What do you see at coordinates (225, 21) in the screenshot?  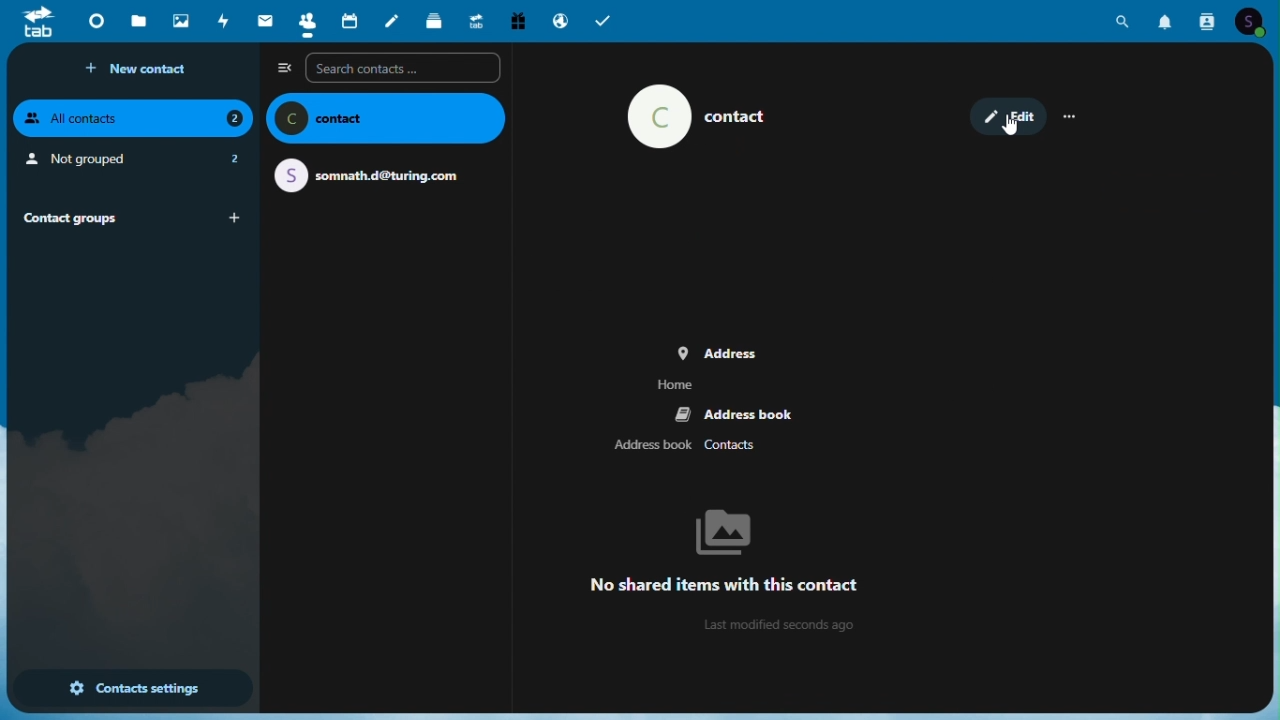 I see `Activity` at bounding box center [225, 21].